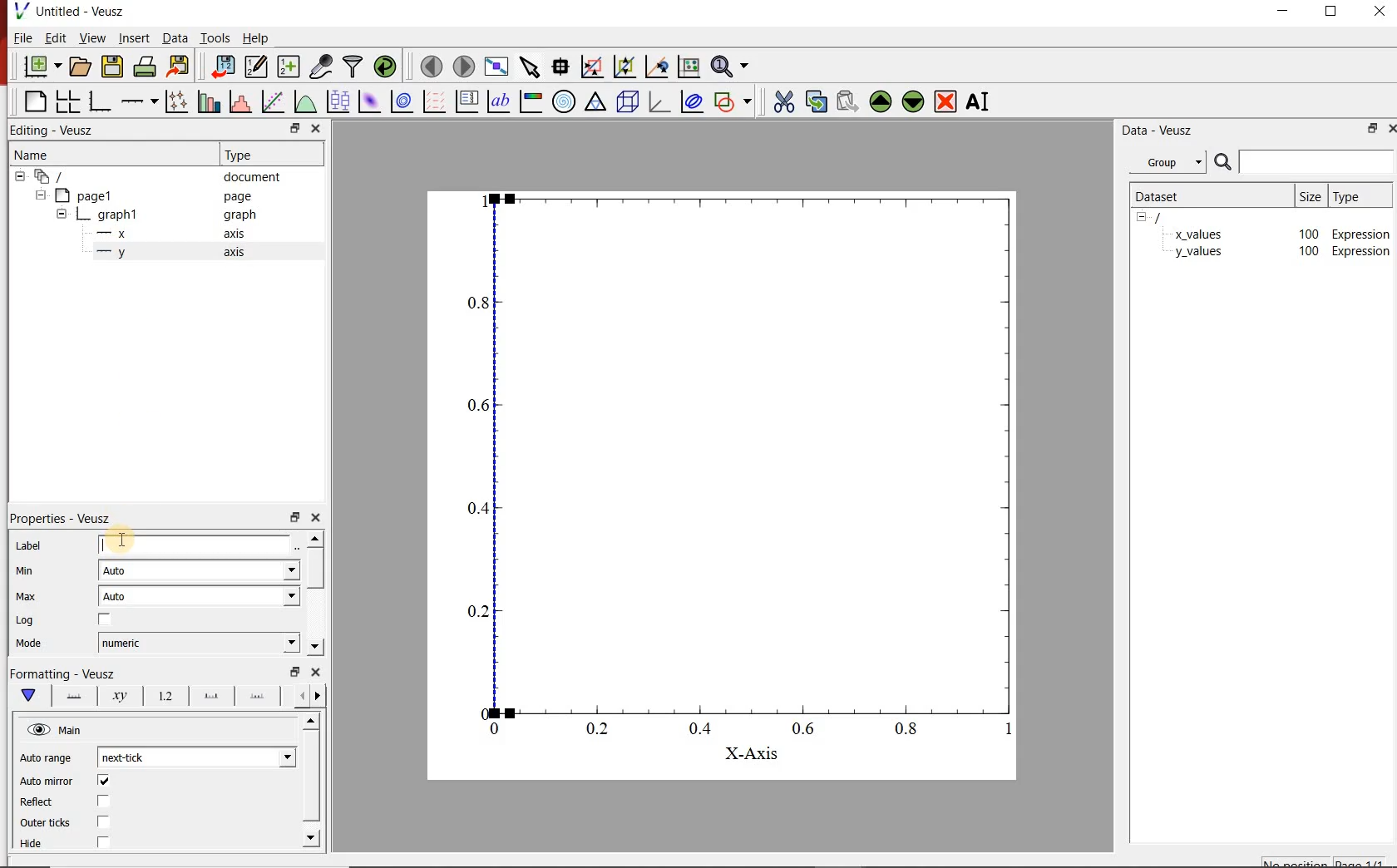 The width and height of the screenshot is (1397, 868). Describe the element at coordinates (1170, 196) in the screenshot. I see `dataset` at that location.